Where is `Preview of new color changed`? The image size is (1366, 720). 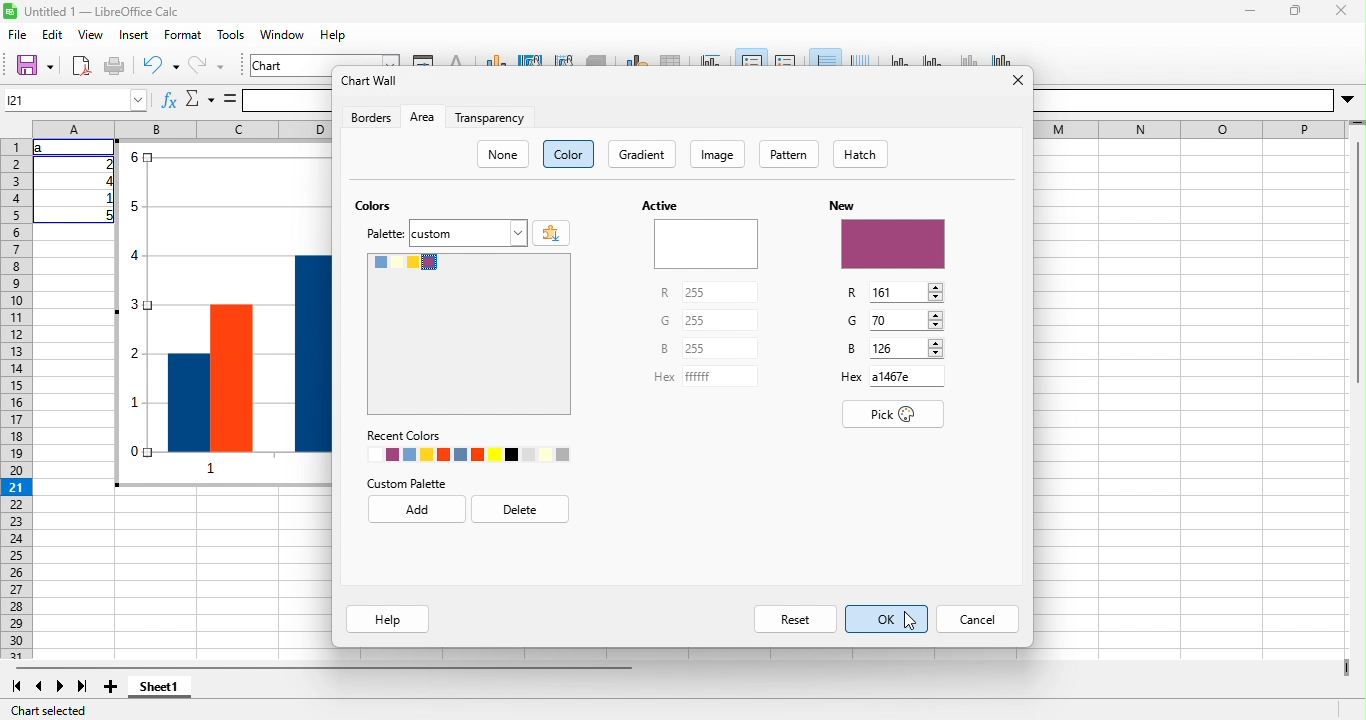 Preview of new color changed is located at coordinates (894, 244).